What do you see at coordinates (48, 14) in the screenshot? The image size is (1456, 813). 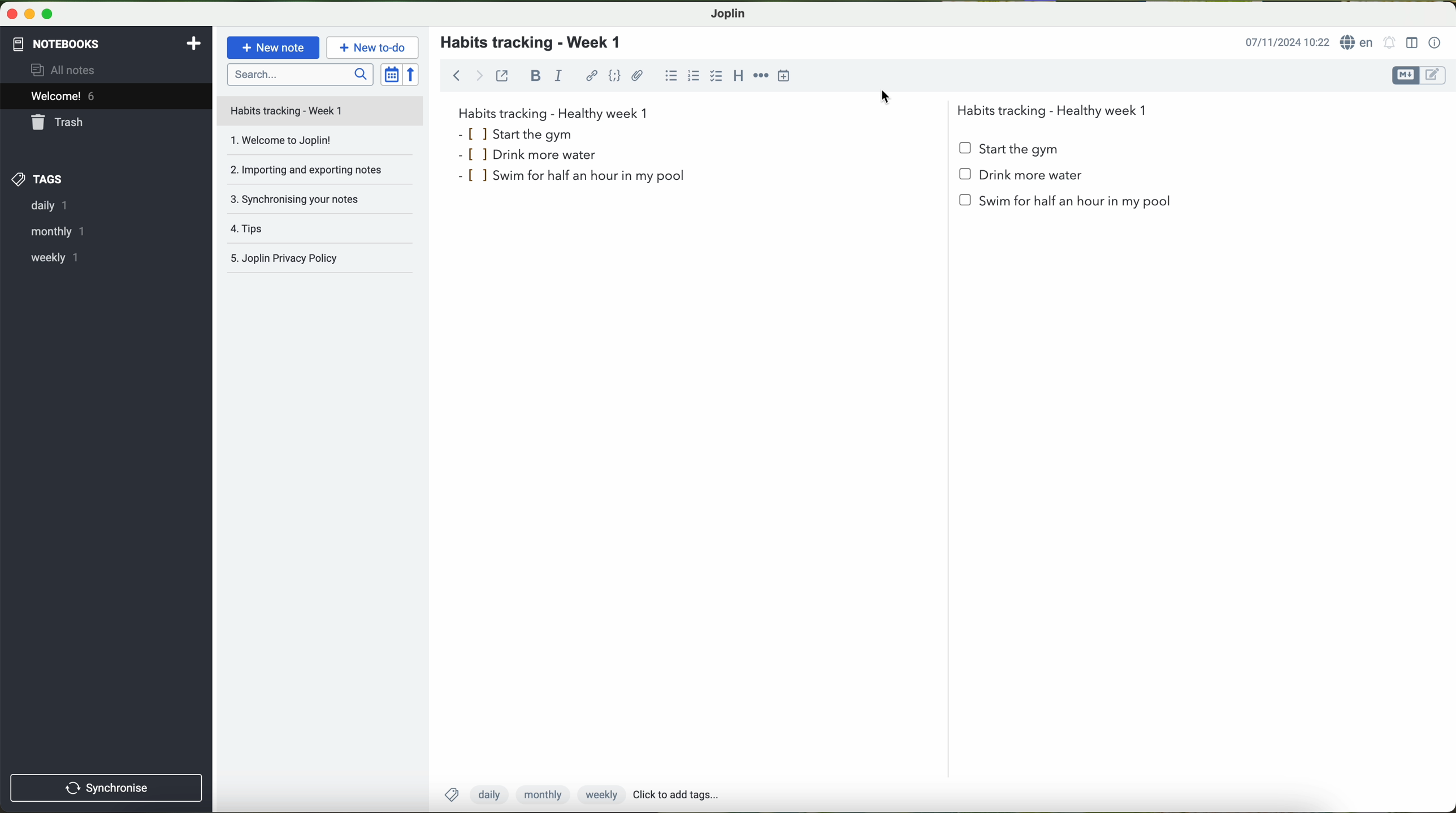 I see `maximize` at bounding box center [48, 14].